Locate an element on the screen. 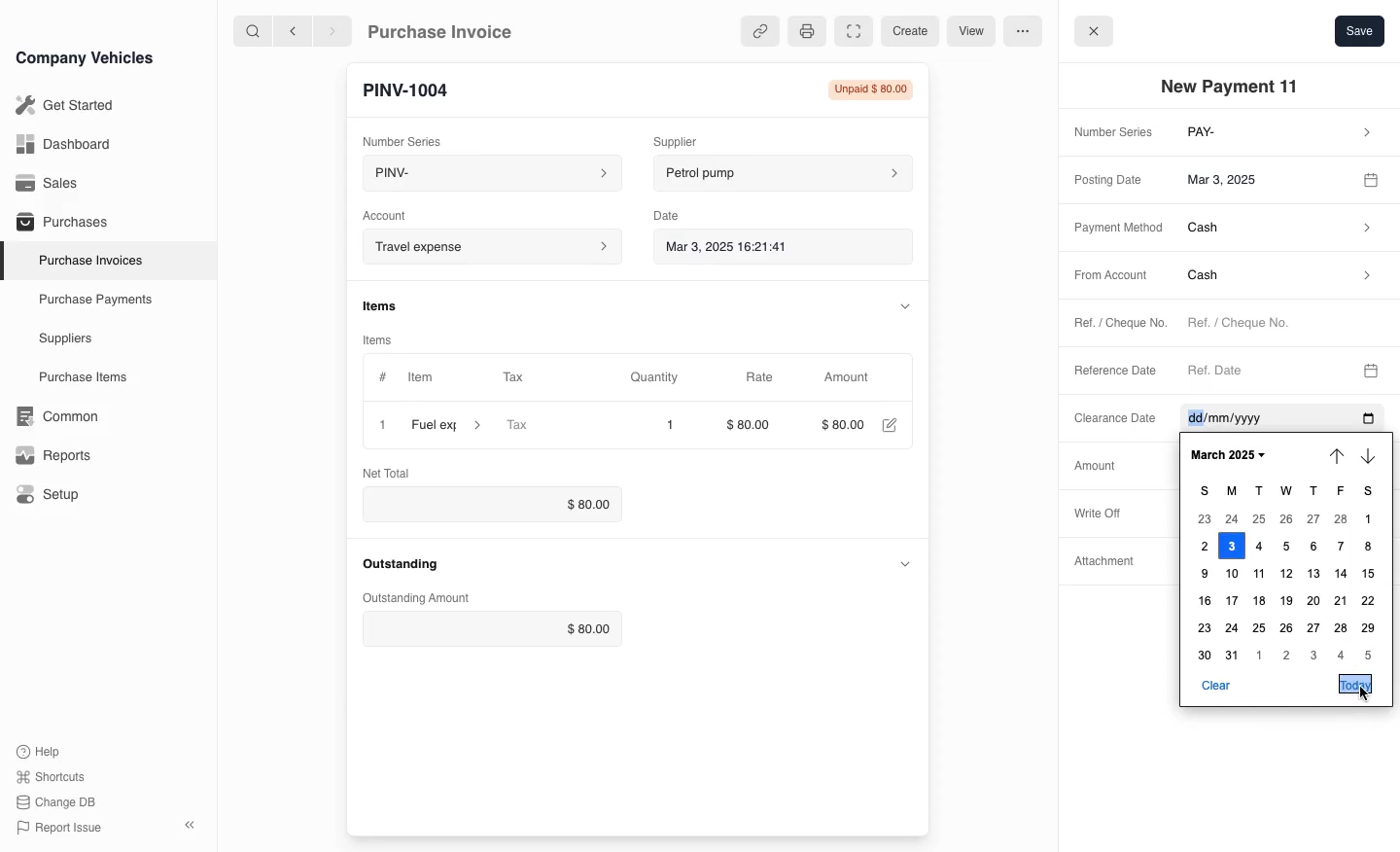  Posting Date is located at coordinates (1111, 178).